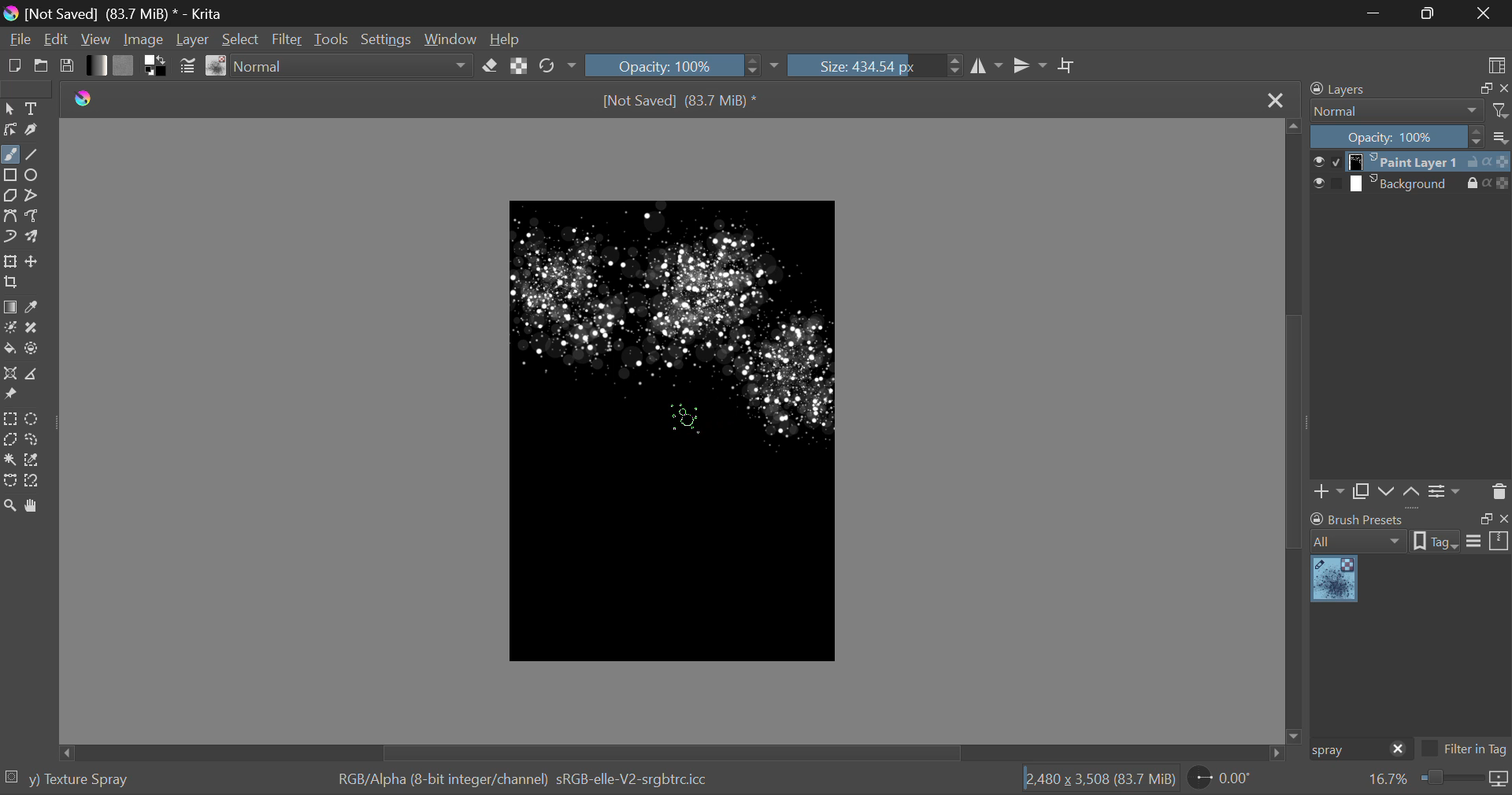 The width and height of the screenshot is (1512, 795). What do you see at coordinates (14, 65) in the screenshot?
I see `New` at bounding box center [14, 65].